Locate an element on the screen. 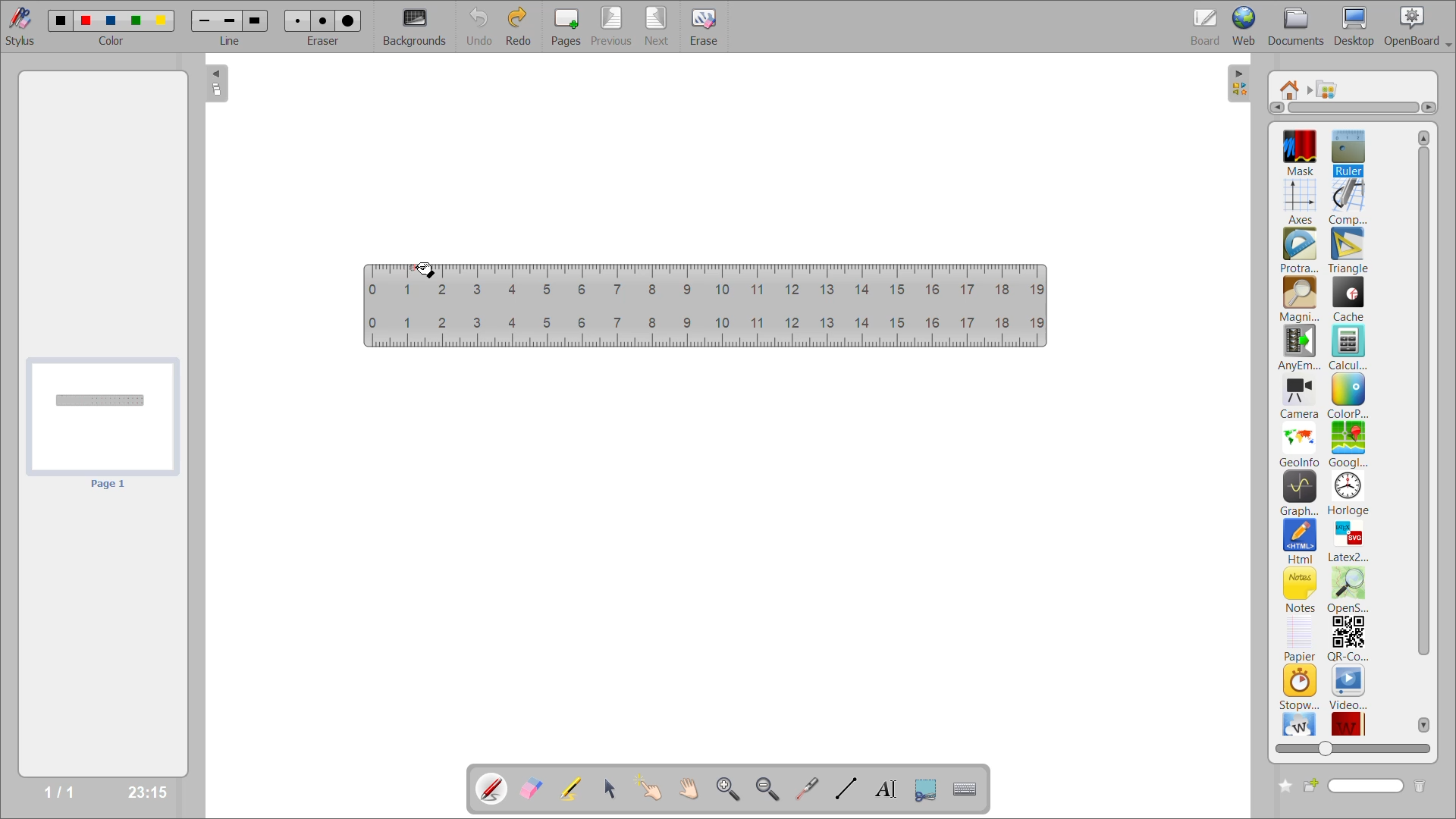  mouse down is located at coordinates (423, 269).